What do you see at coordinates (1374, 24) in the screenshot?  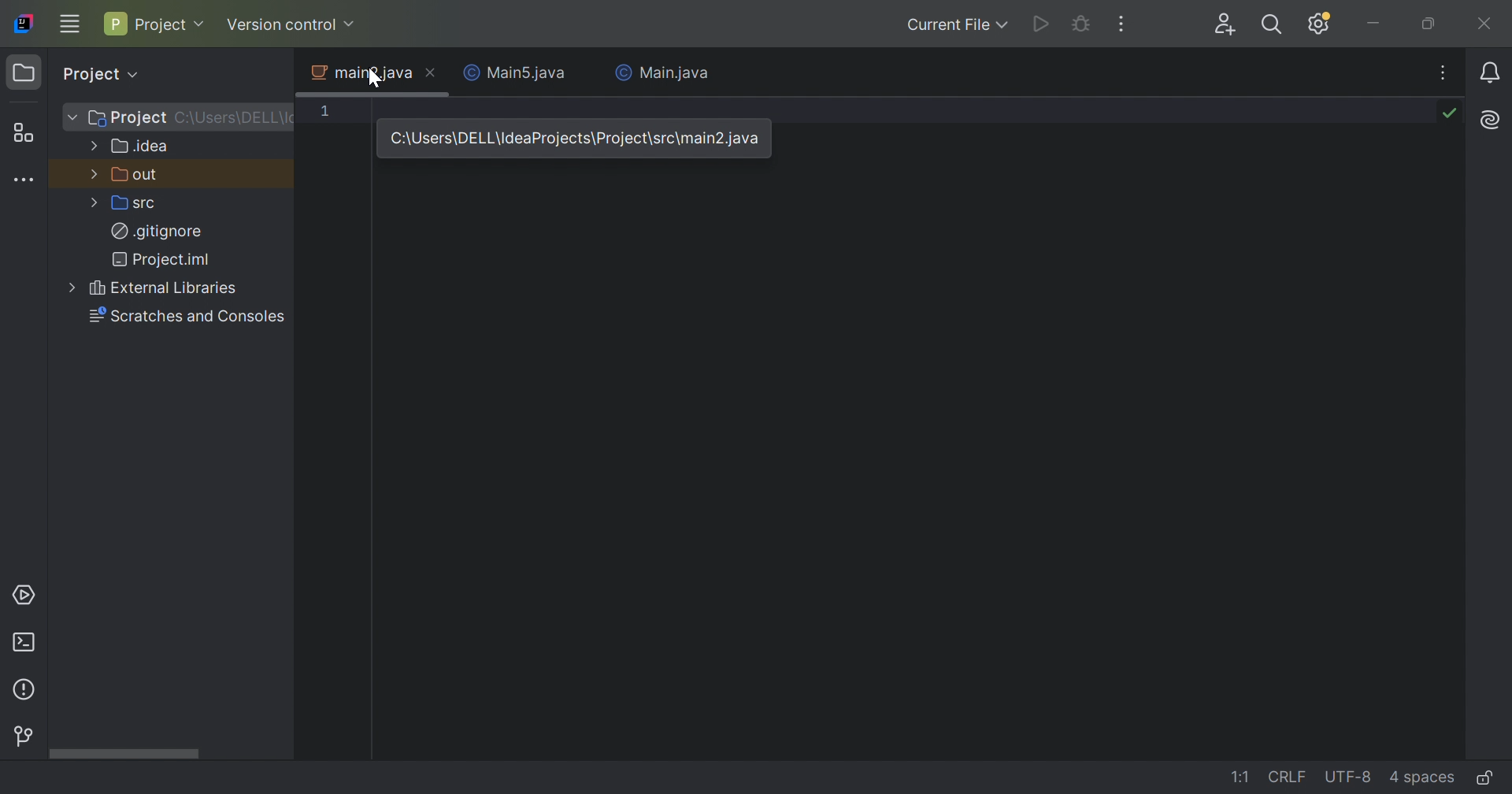 I see `Minimize` at bounding box center [1374, 24].